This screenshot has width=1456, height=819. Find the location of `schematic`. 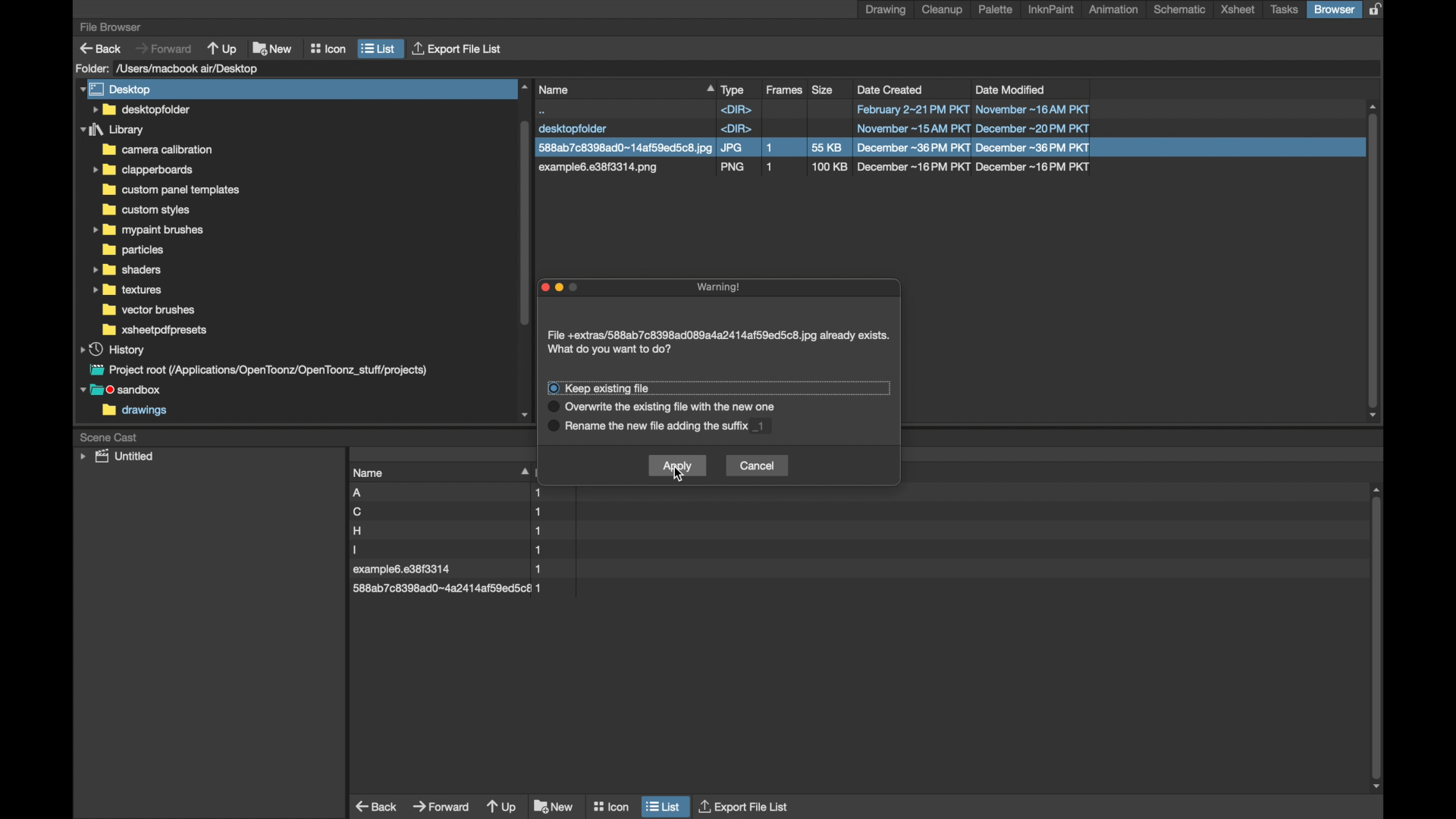

schematic is located at coordinates (1179, 9).